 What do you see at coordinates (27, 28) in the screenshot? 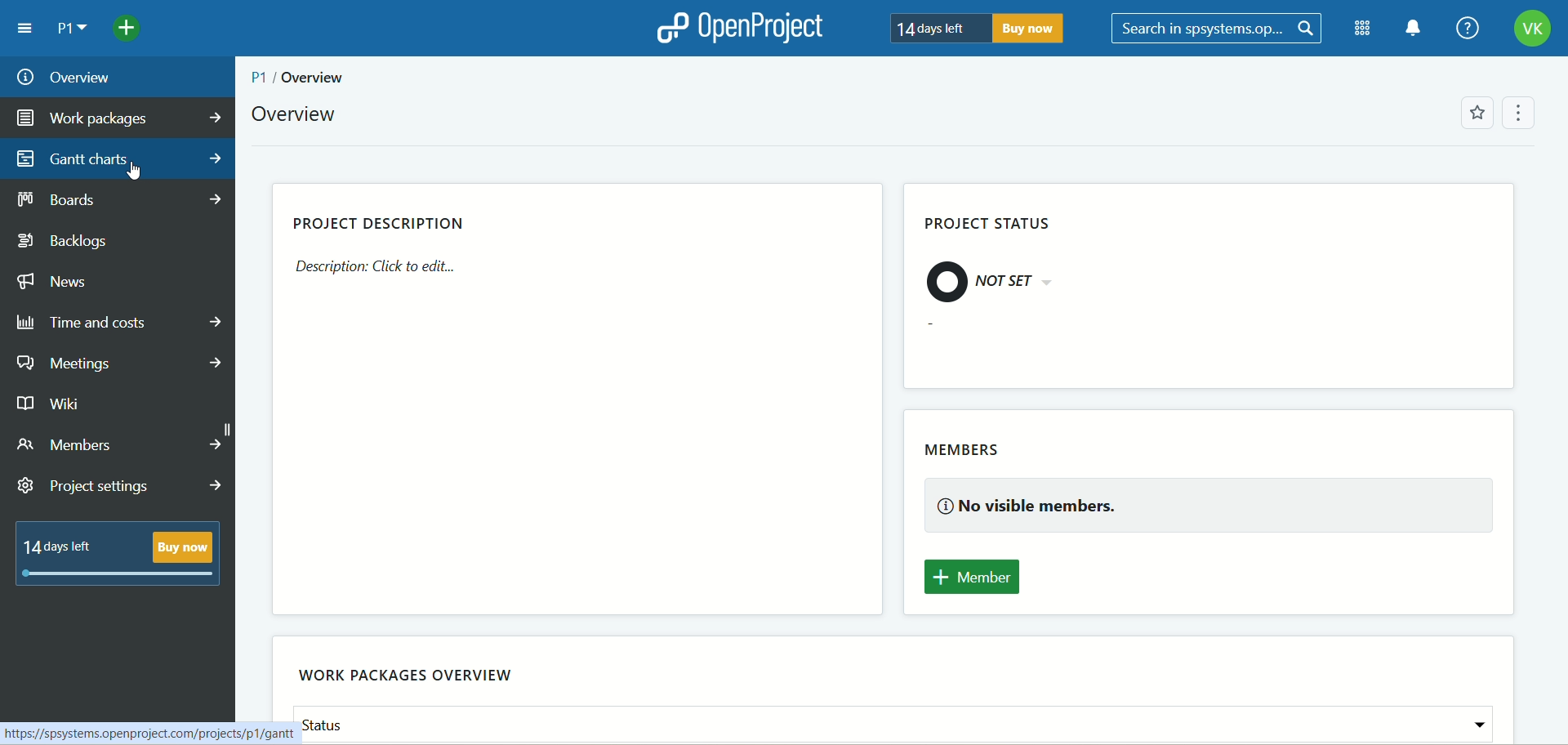
I see `menu` at bounding box center [27, 28].